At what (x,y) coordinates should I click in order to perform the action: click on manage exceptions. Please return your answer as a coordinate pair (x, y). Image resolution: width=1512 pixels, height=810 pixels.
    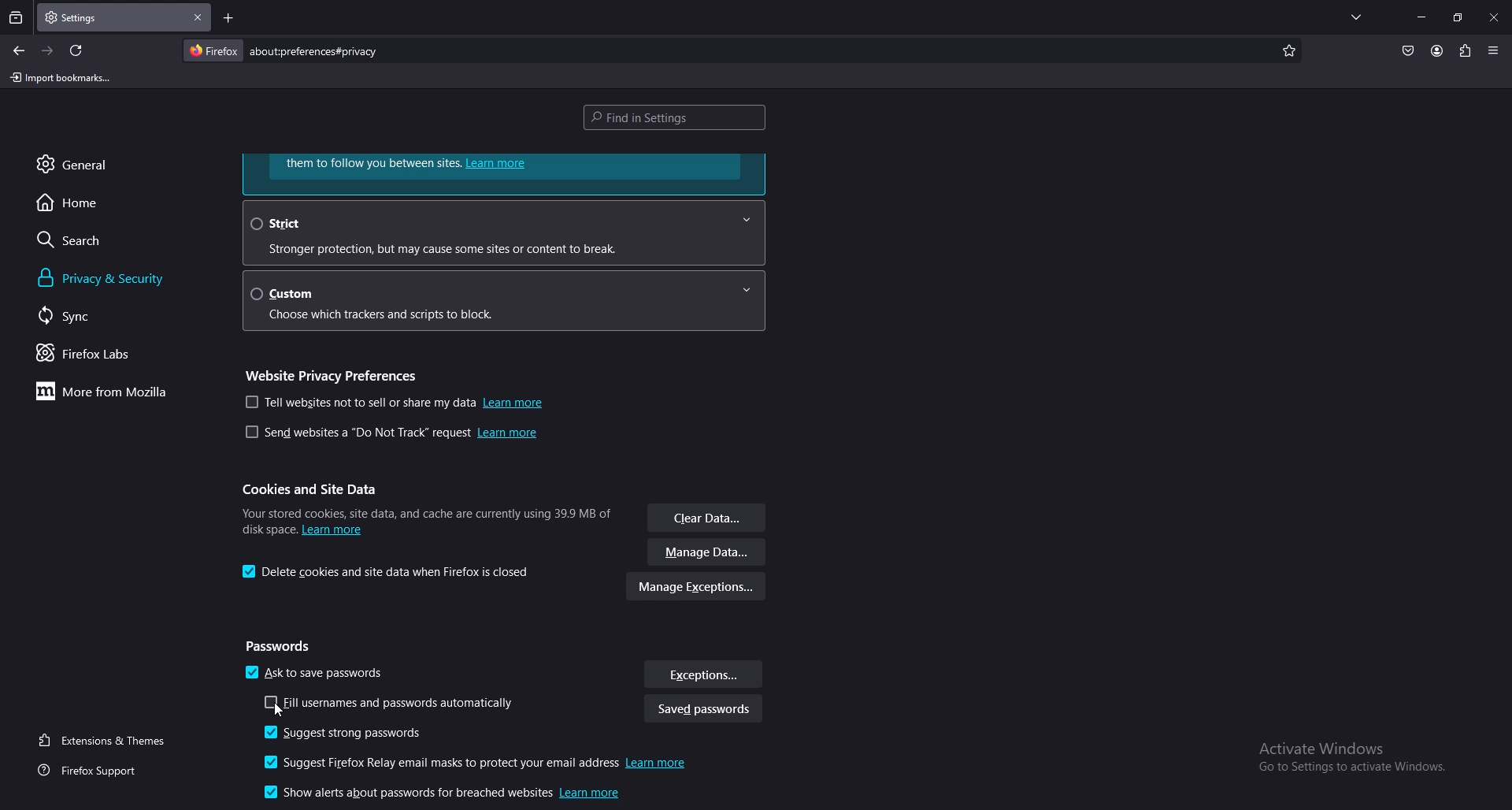
    Looking at the image, I should click on (697, 589).